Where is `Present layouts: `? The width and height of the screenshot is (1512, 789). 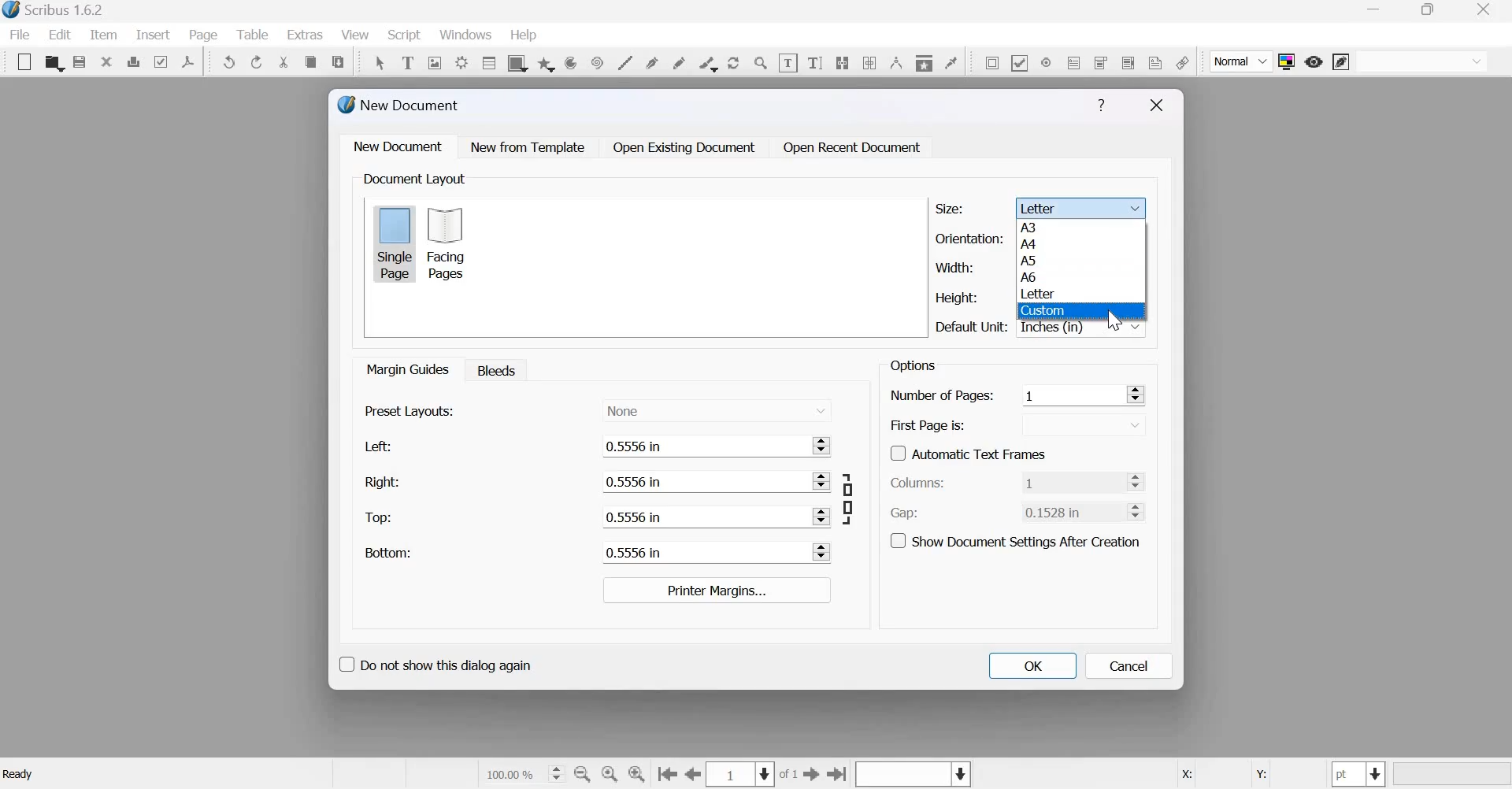 Present layouts:  is located at coordinates (410, 410).